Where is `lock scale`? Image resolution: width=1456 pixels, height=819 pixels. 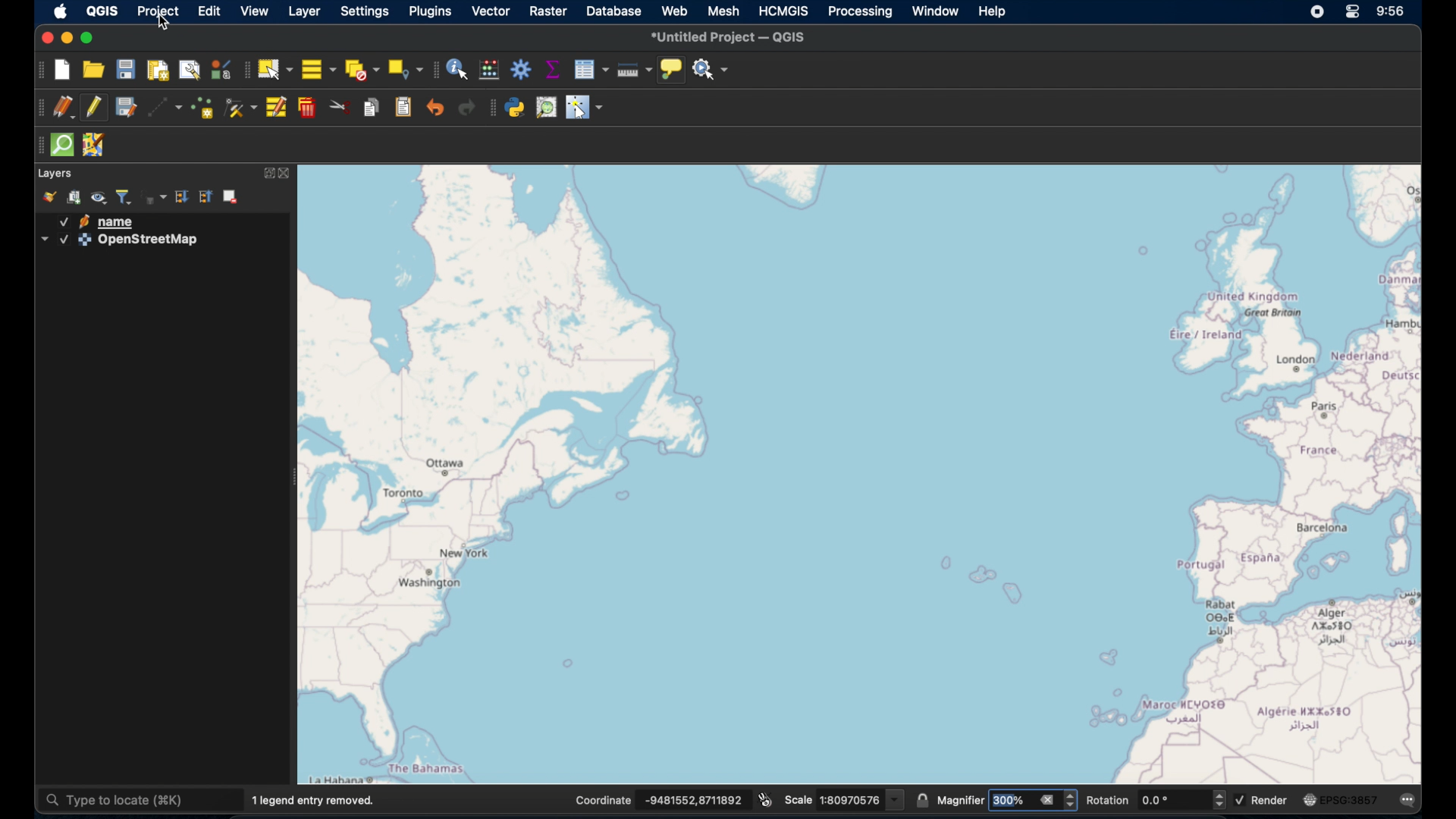 lock scale is located at coordinates (924, 802).